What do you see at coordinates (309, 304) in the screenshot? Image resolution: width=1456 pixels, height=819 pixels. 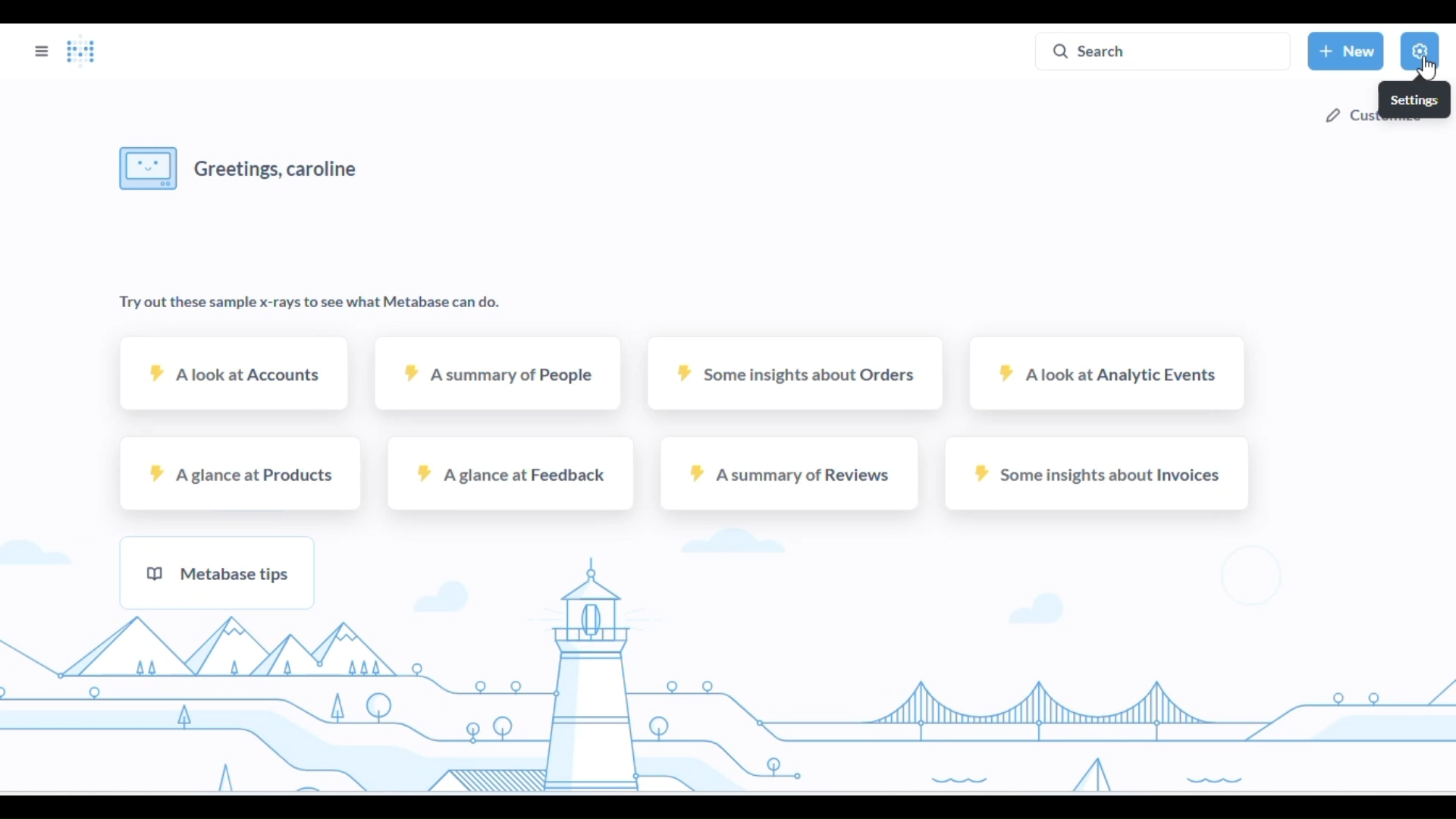 I see `try out these sample x-rays to see what metabase can do` at bounding box center [309, 304].